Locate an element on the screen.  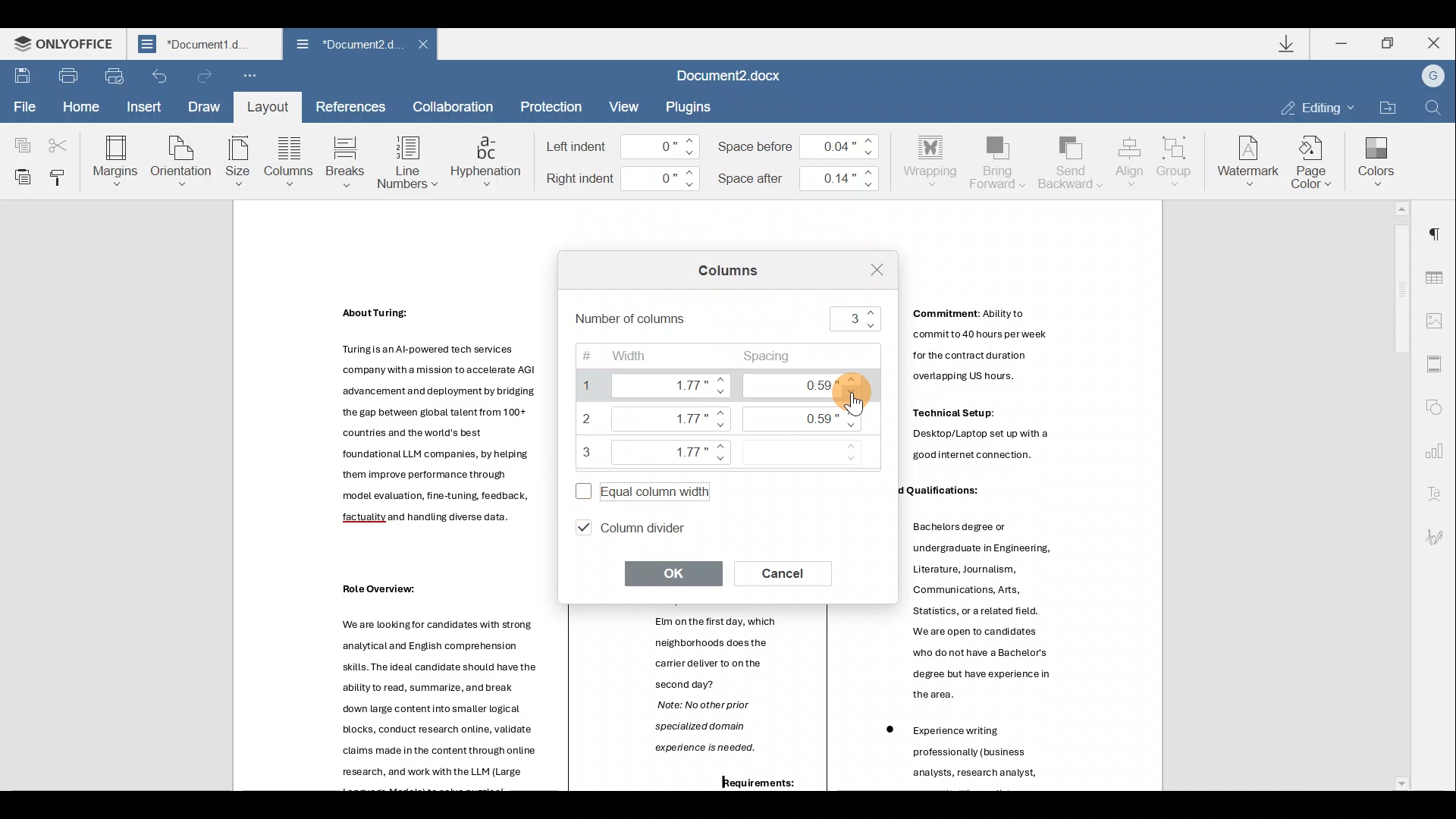
Scroll bar is located at coordinates (1396, 495).